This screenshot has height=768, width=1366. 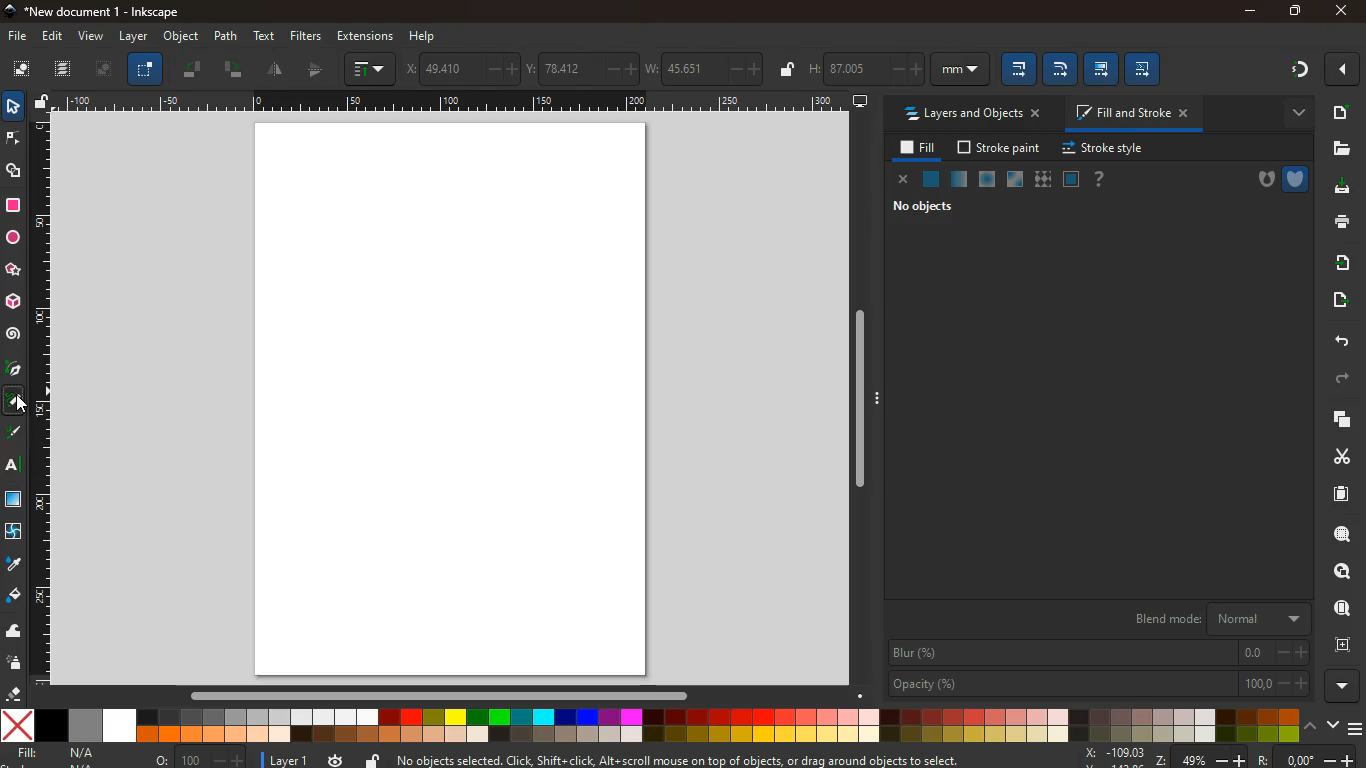 I want to click on unlock, so click(x=785, y=70).